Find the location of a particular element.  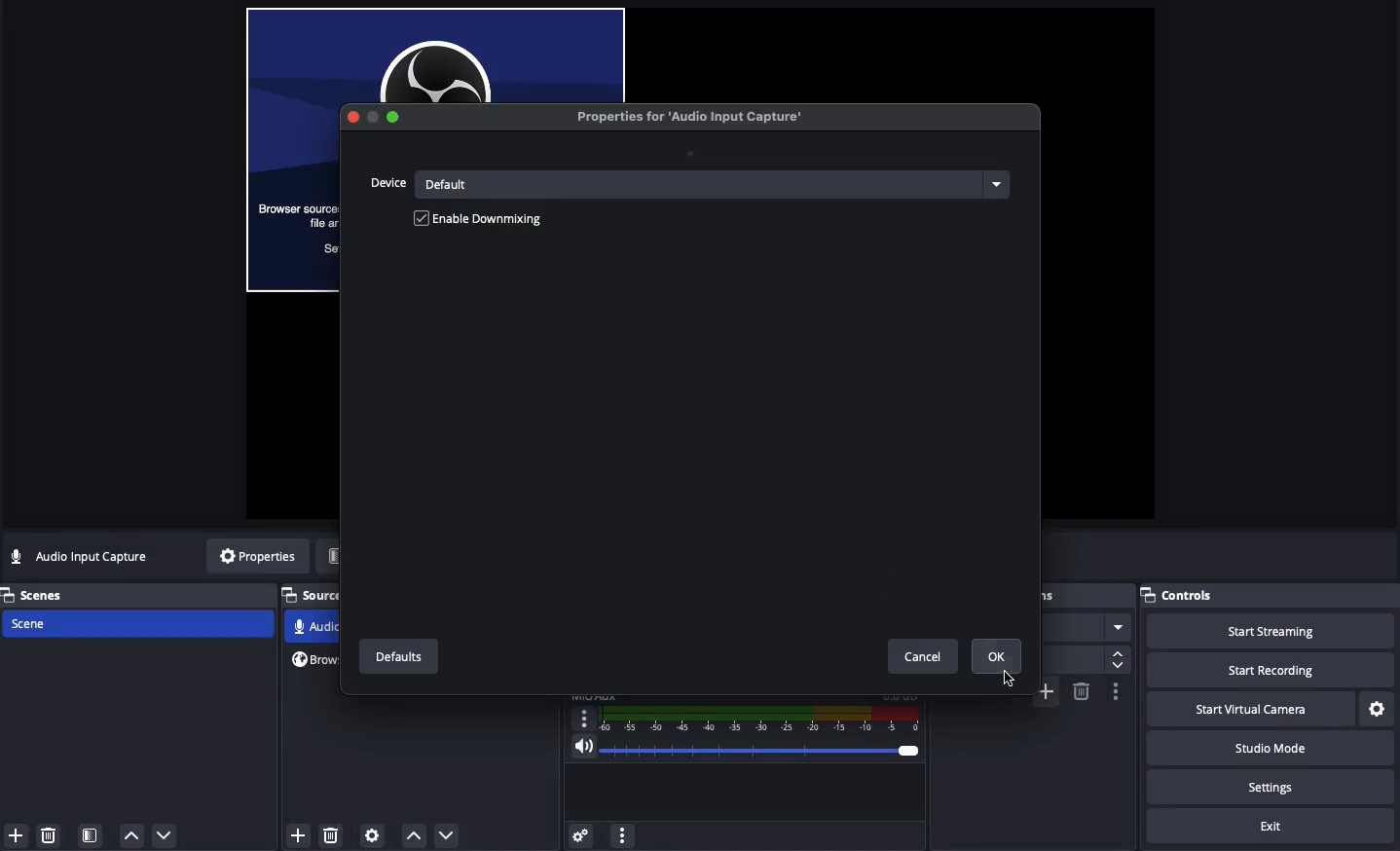

Source preferences is located at coordinates (370, 836).